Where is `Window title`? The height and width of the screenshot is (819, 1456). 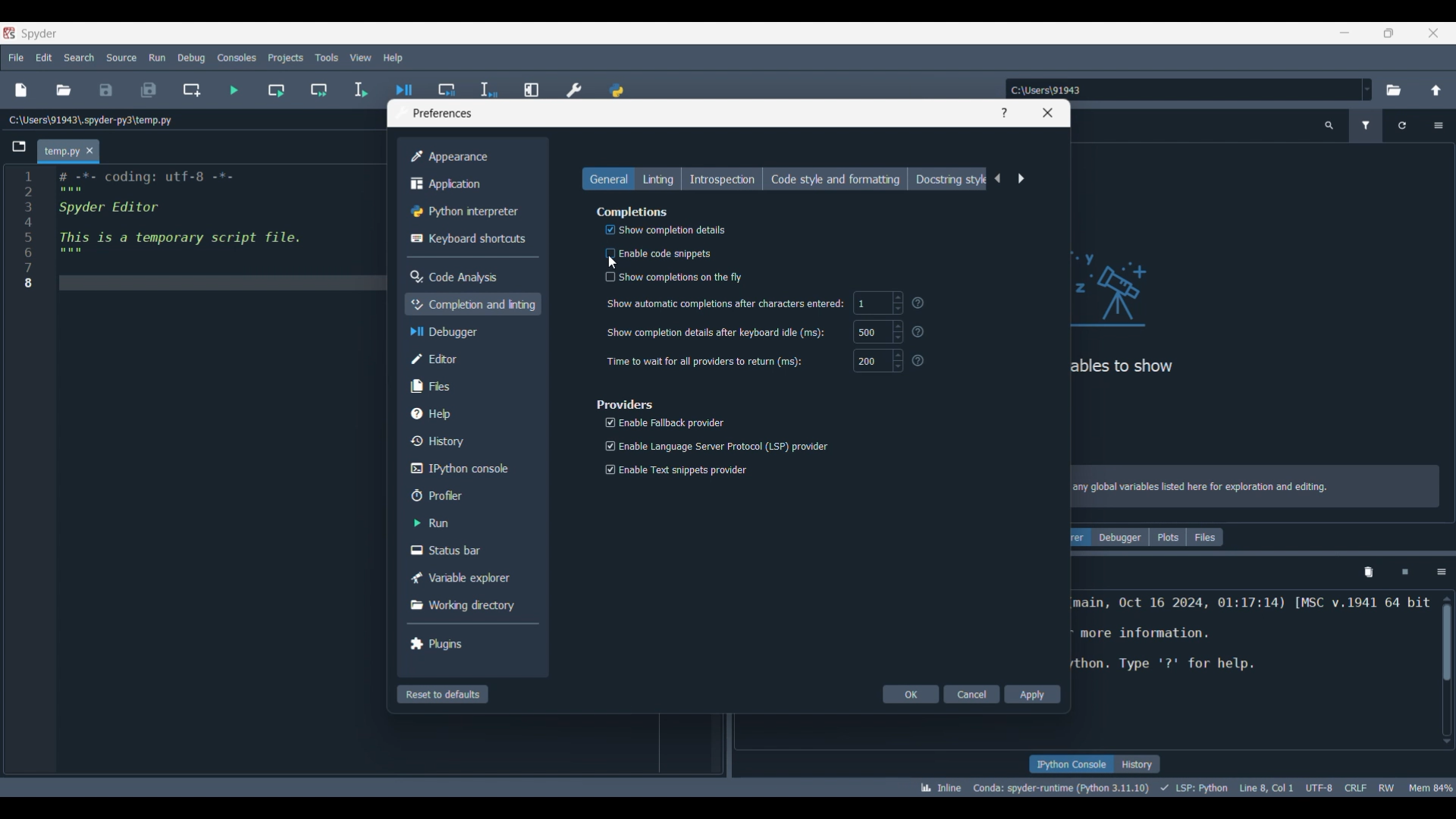
Window title is located at coordinates (443, 113).